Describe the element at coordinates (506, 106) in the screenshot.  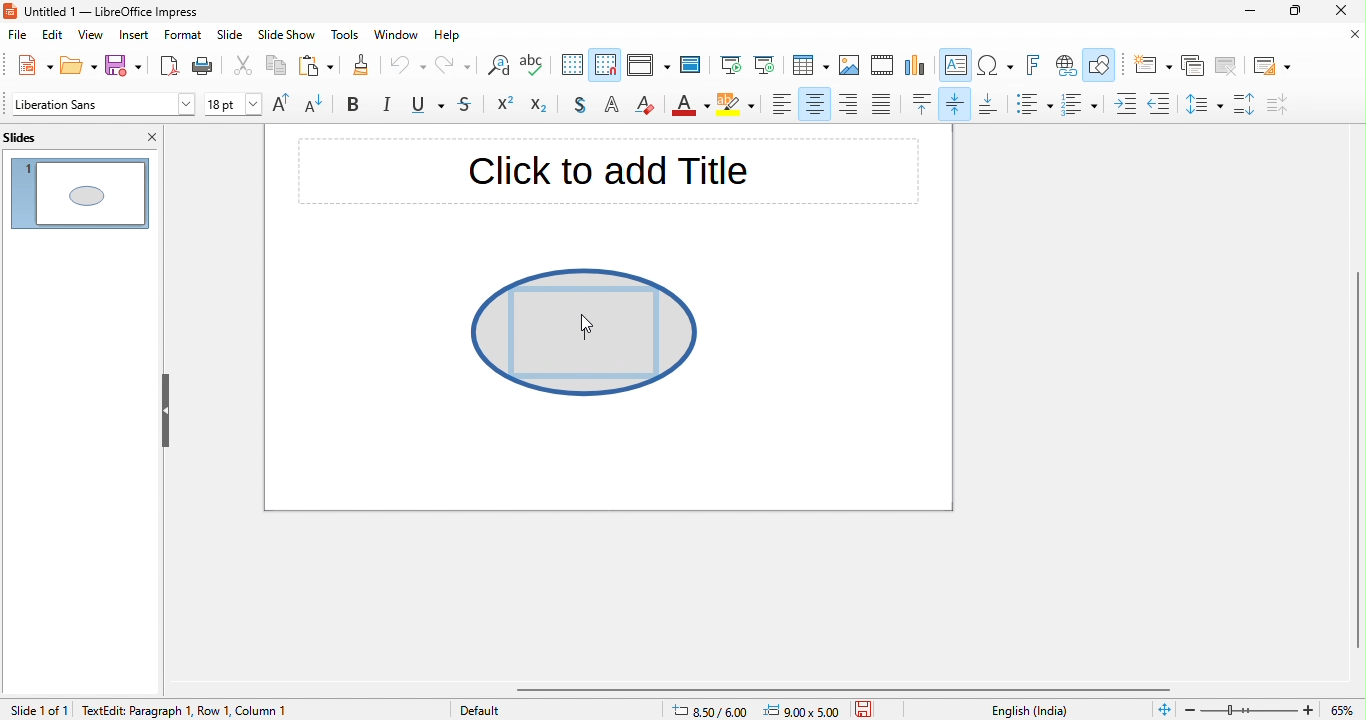
I see `superscript` at that location.